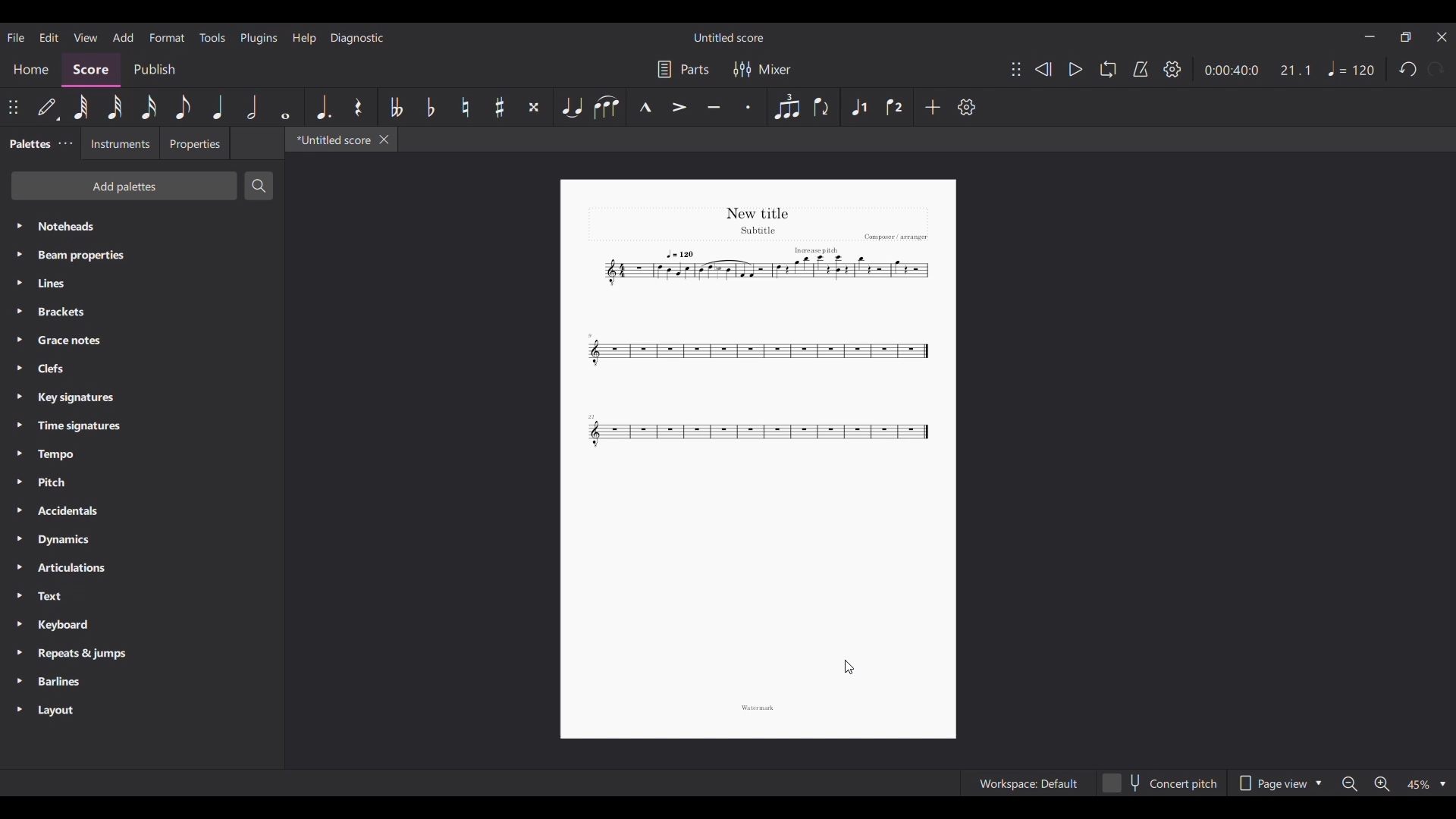 This screenshot has height=819, width=1456. Describe the element at coordinates (1232, 70) in the screenshot. I see `Current duration` at that location.